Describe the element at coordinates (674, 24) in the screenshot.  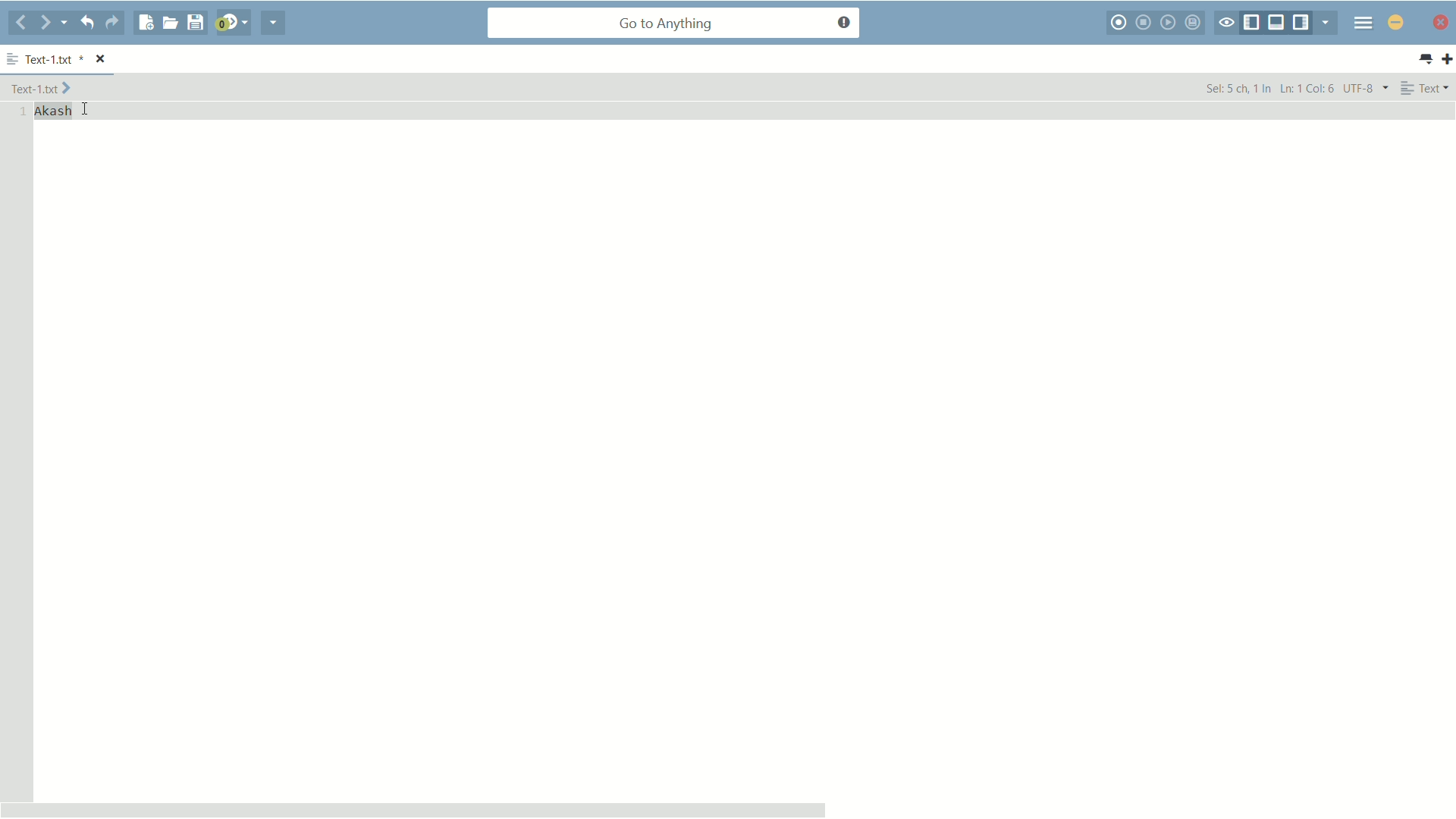
I see `go to anything search bar` at that location.